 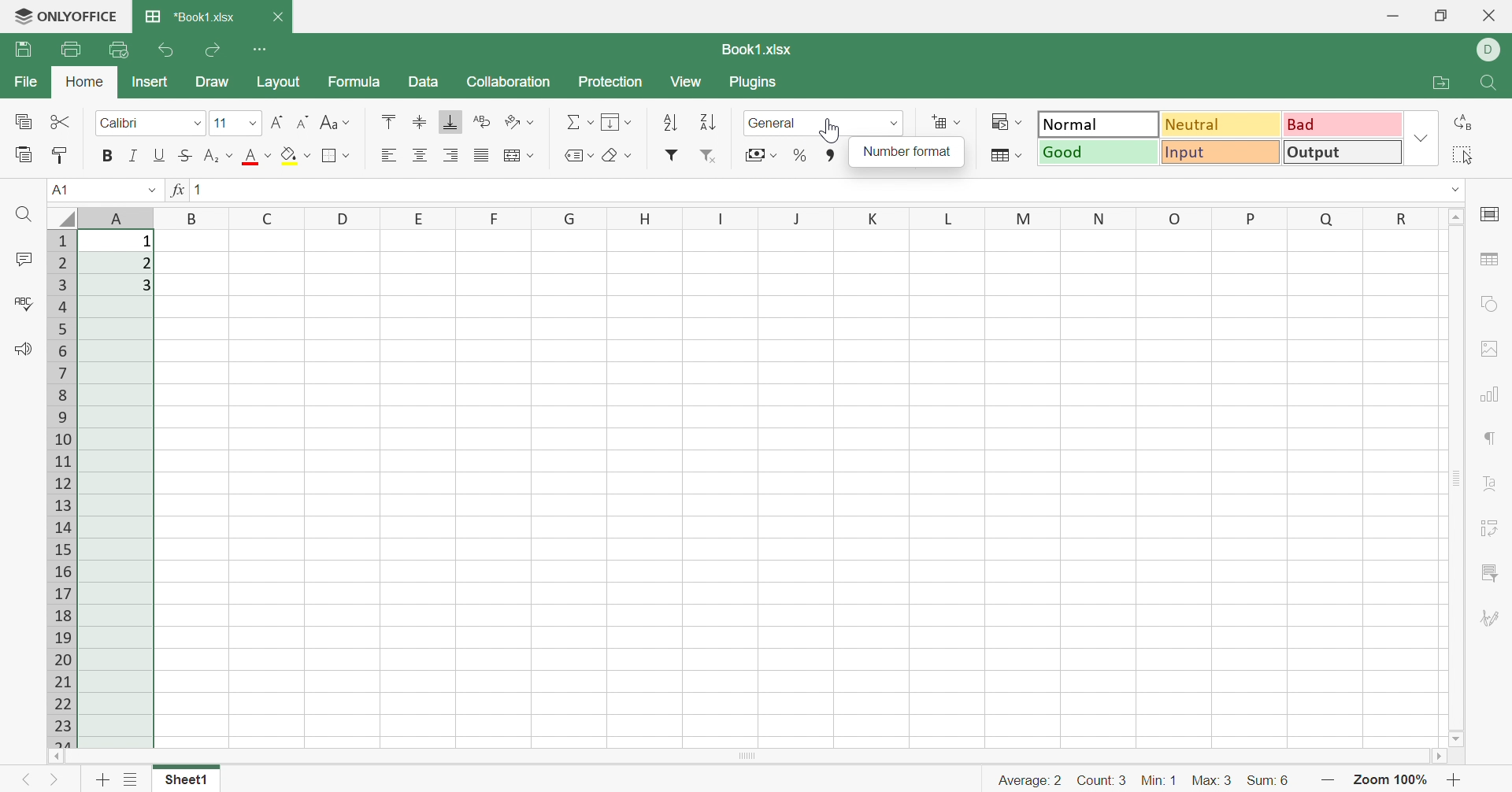 I want to click on Scroll right, so click(x=1434, y=757).